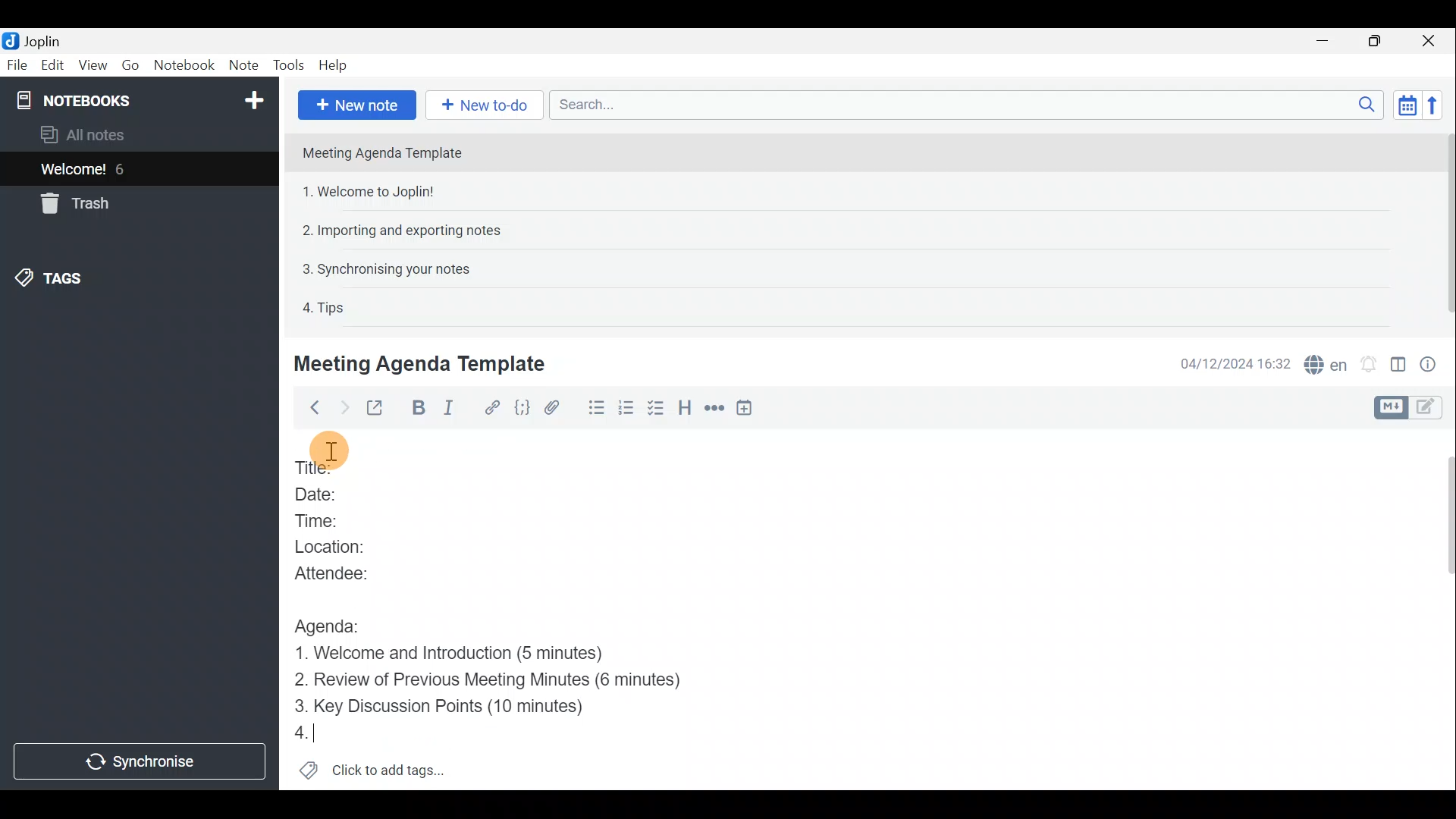 This screenshot has height=819, width=1456. What do you see at coordinates (357, 105) in the screenshot?
I see `New note` at bounding box center [357, 105].